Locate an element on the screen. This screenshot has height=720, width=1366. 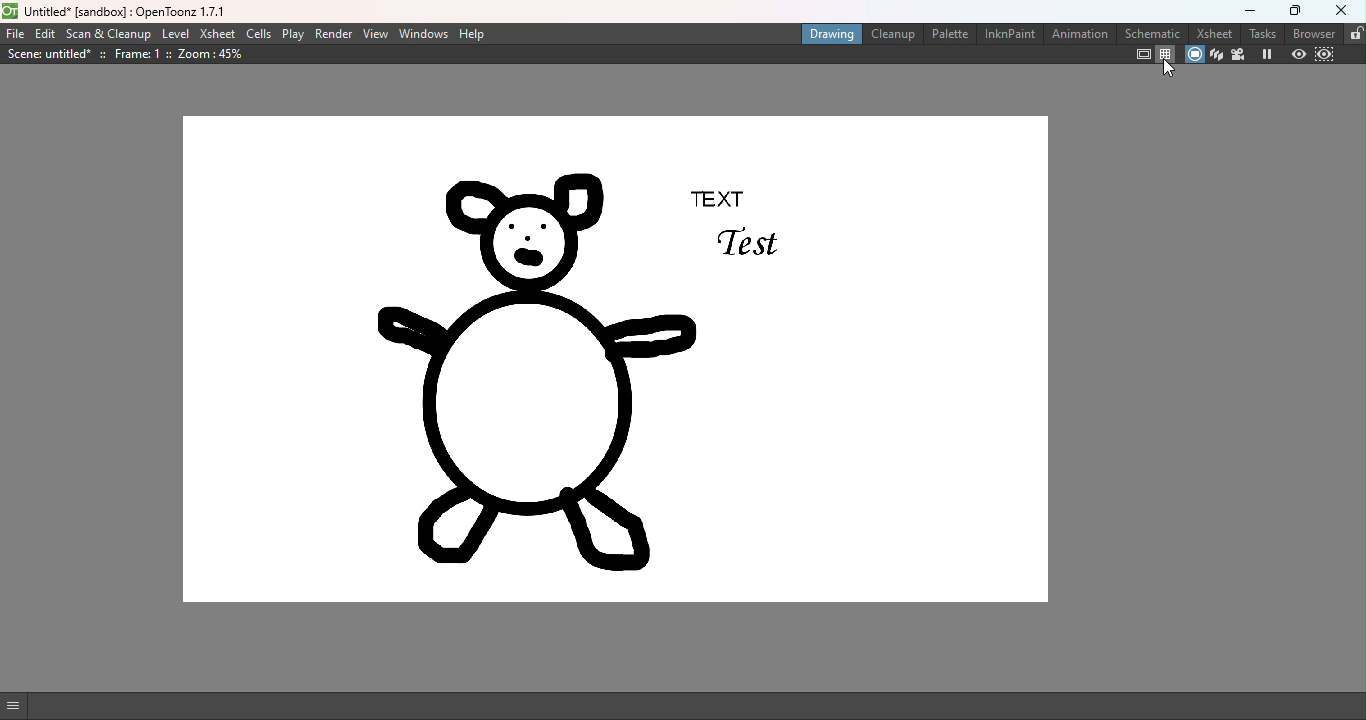
Cleanup is located at coordinates (889, 35).